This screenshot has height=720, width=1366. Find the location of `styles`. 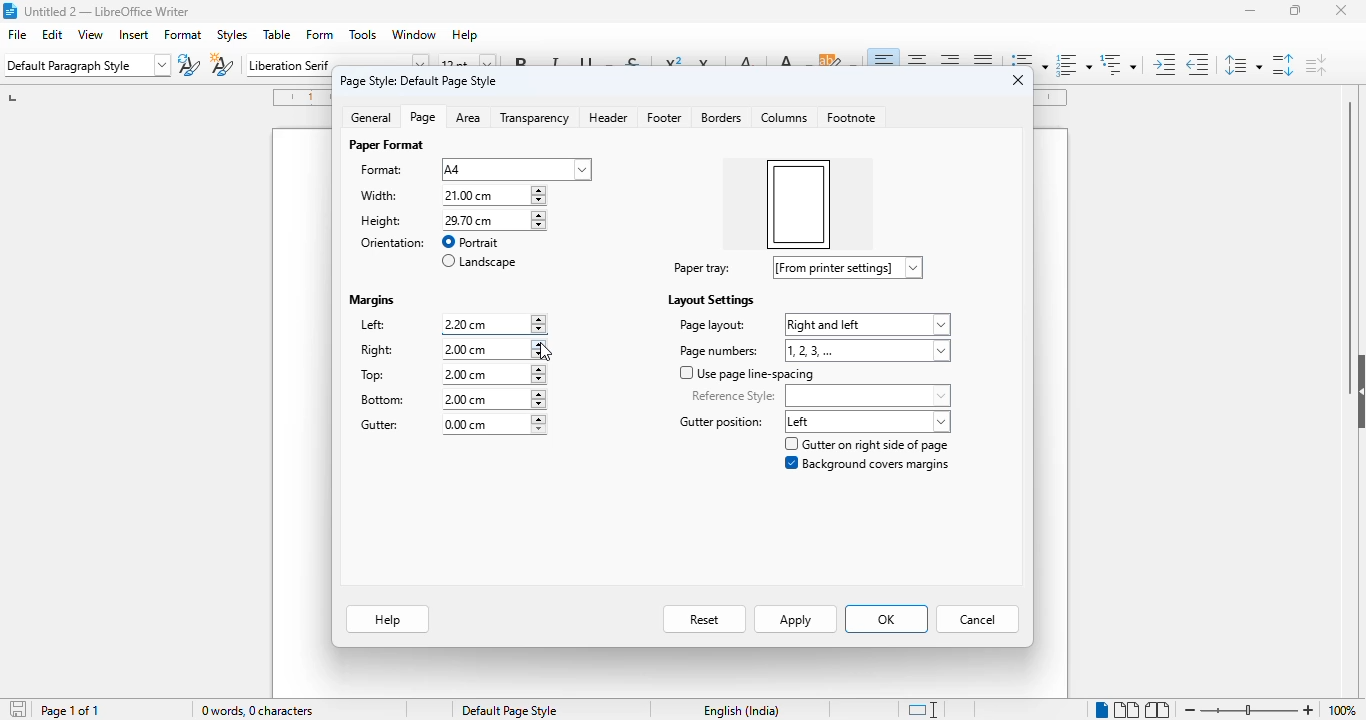

styles is located at coordinates (233, 35).